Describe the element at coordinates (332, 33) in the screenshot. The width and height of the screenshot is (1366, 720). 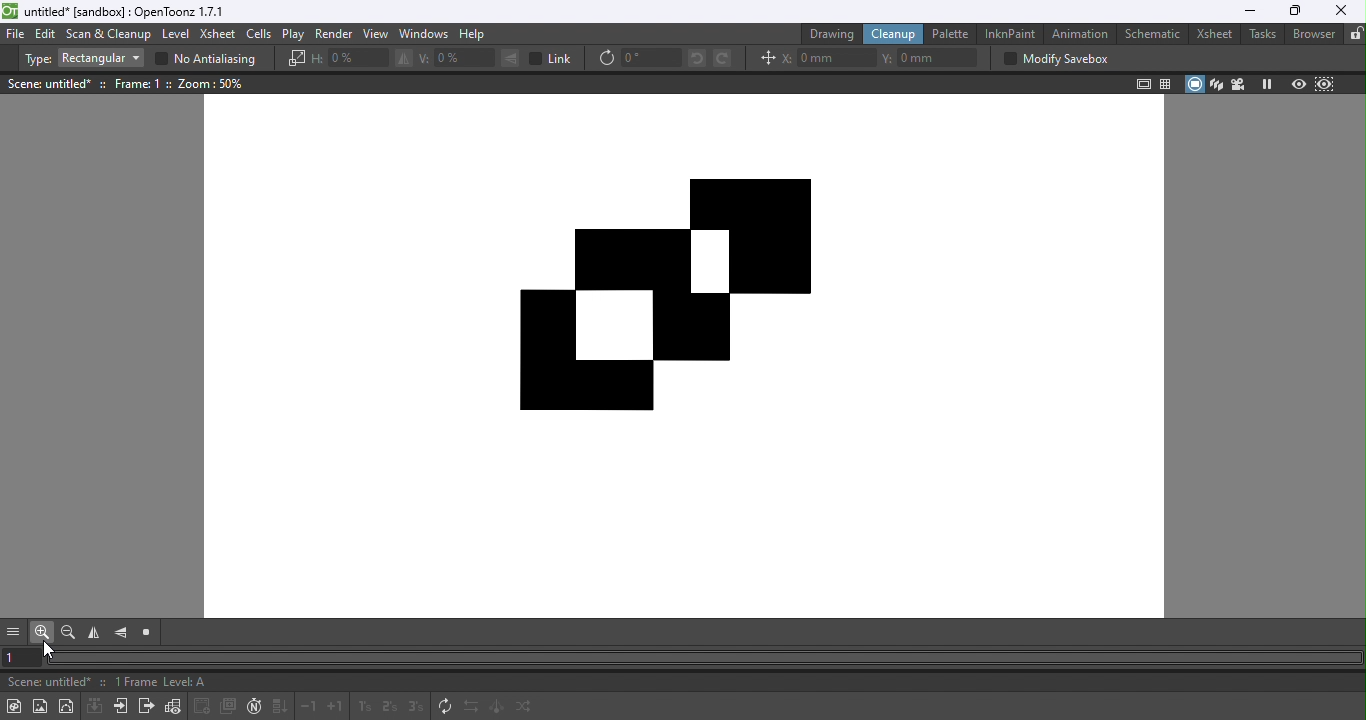
I see `Render` at that location.